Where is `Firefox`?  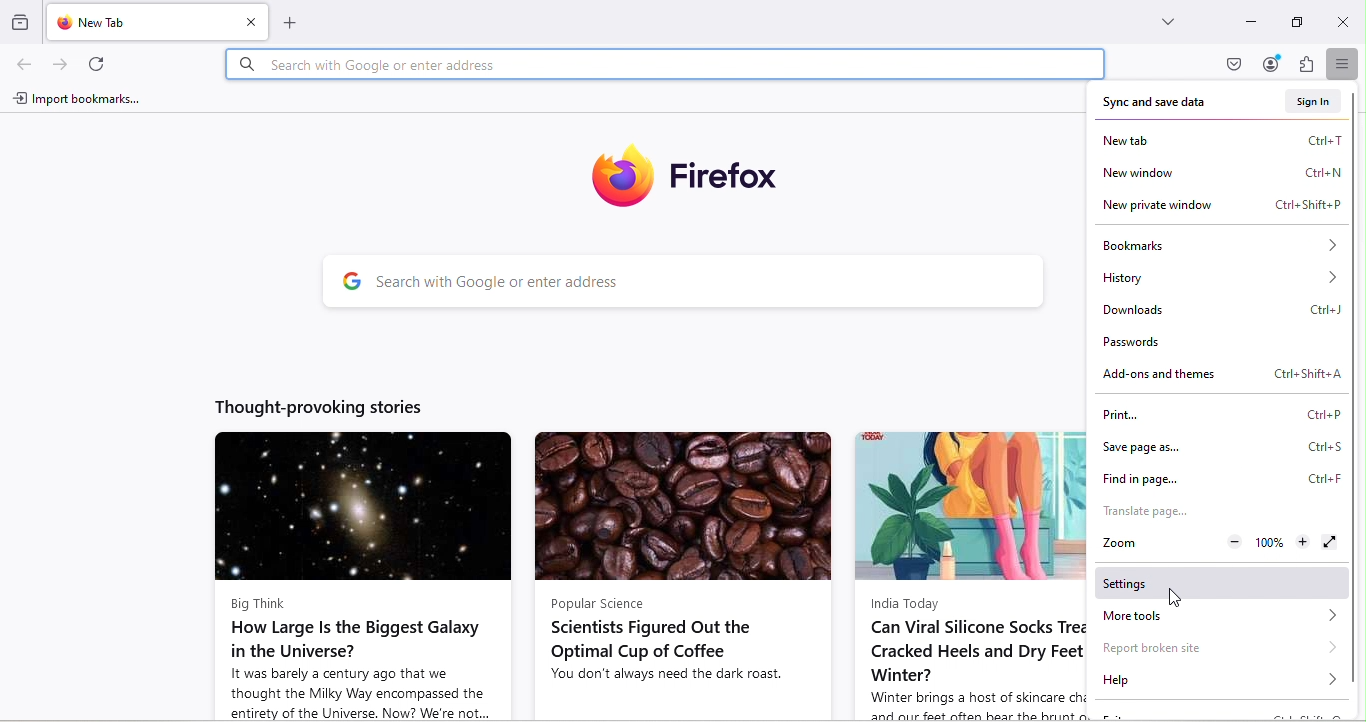
Firefox is located at coordinates (705, 182).